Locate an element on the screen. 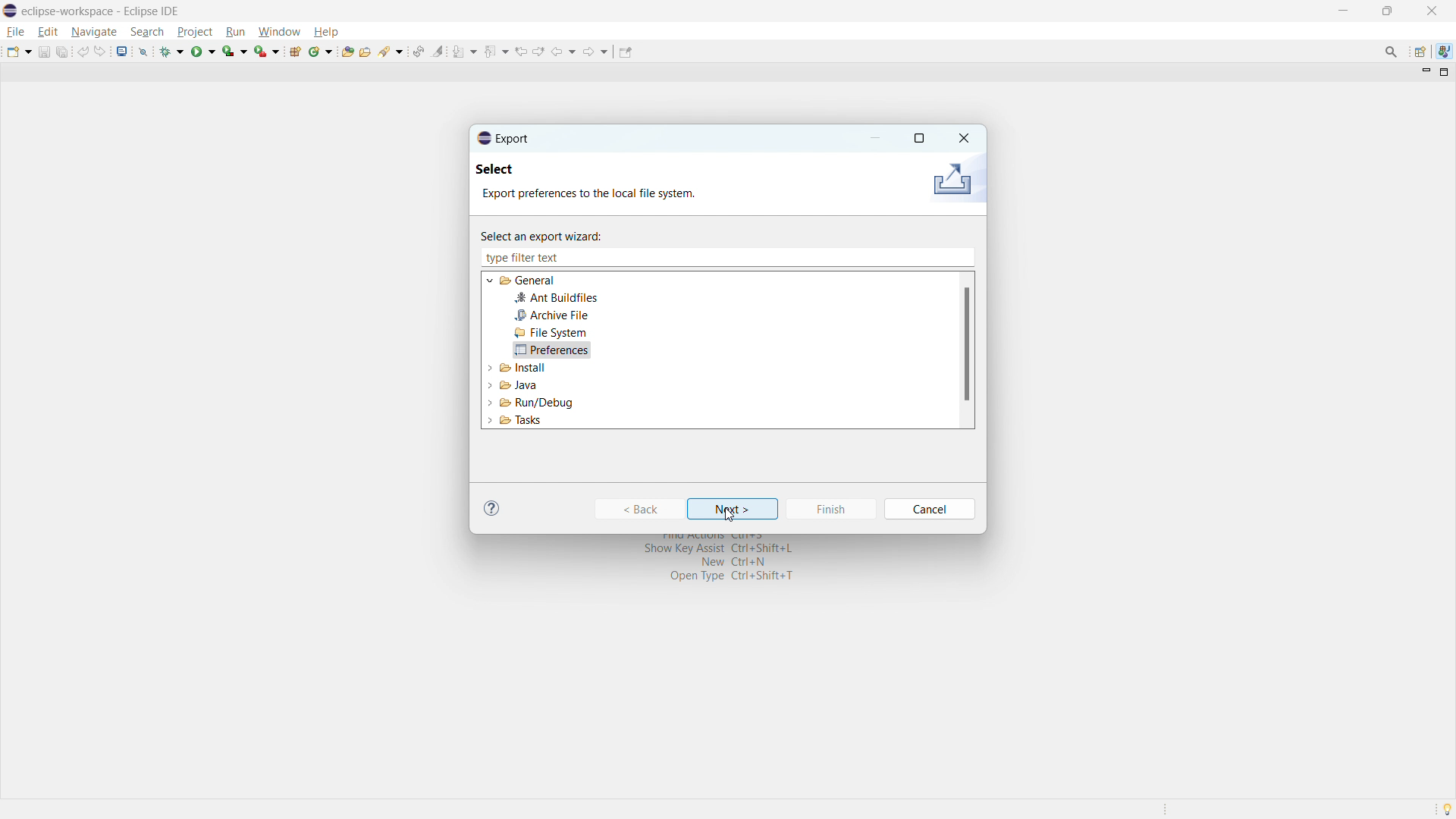 The image size is (1456, 819). search is located at coordinates (147, 32).